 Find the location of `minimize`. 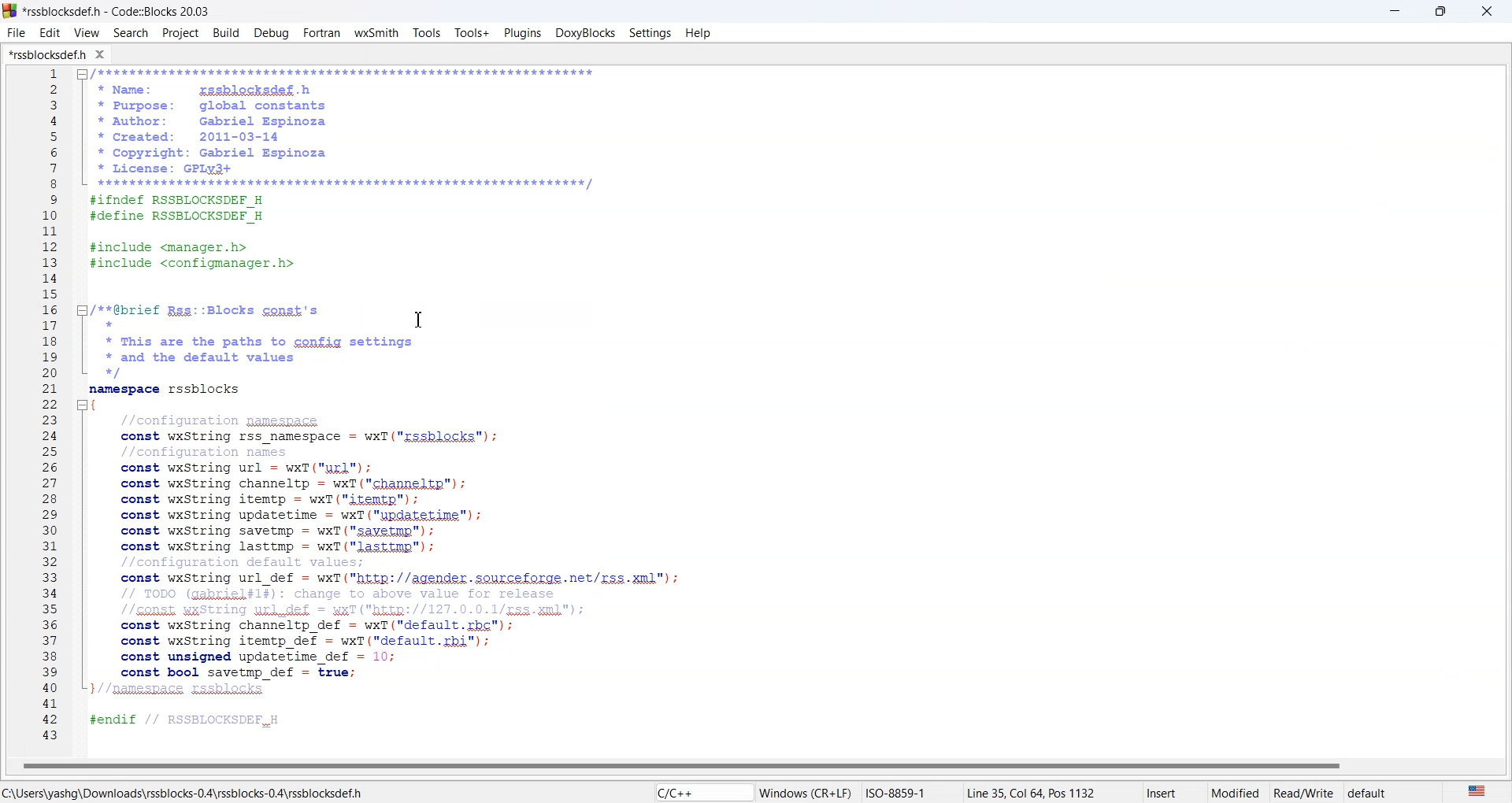

minimize is located at coordinates (86, 75).